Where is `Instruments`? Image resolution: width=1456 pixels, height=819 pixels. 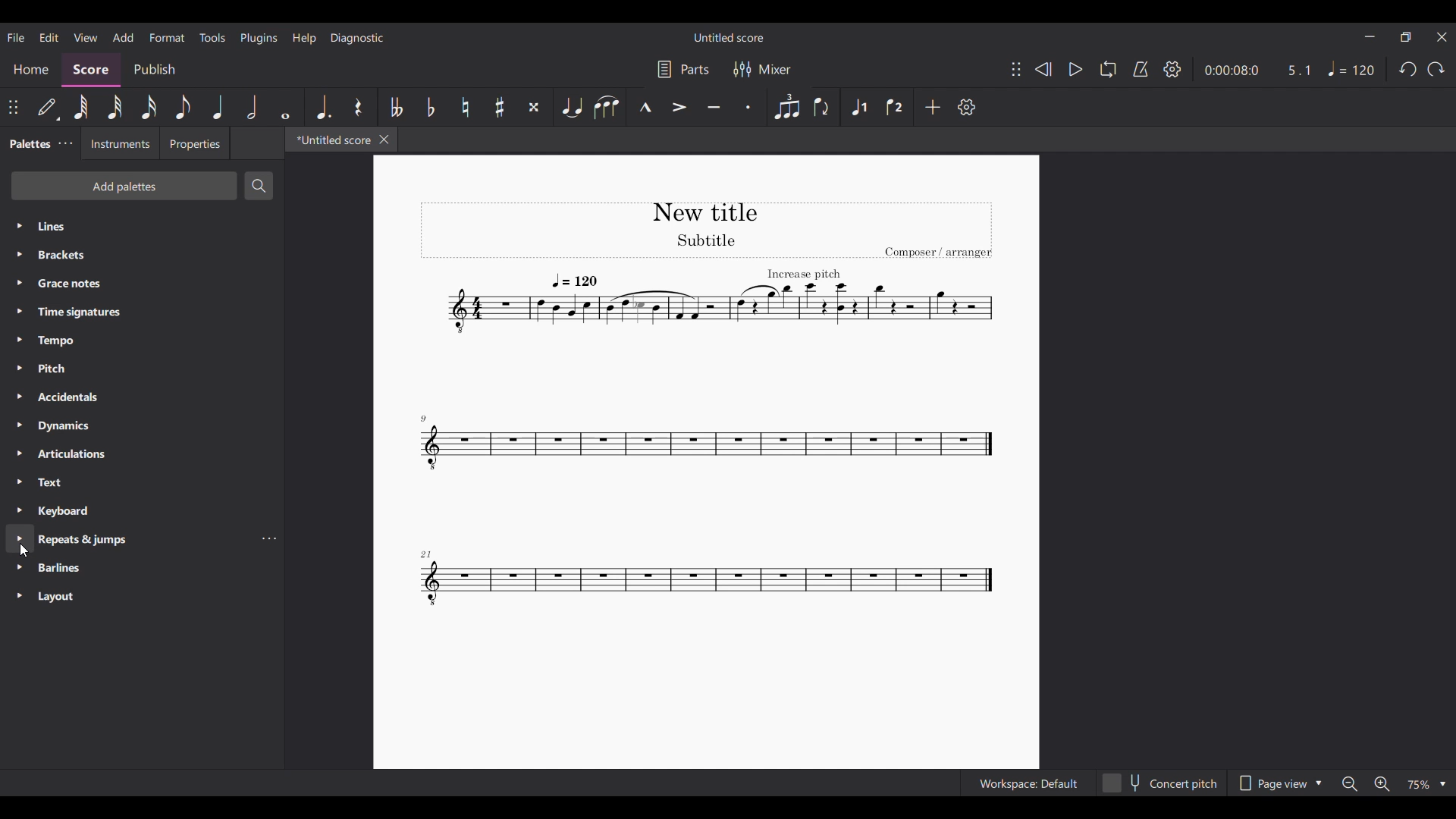 Instruments is located at coordinates (120, 143).